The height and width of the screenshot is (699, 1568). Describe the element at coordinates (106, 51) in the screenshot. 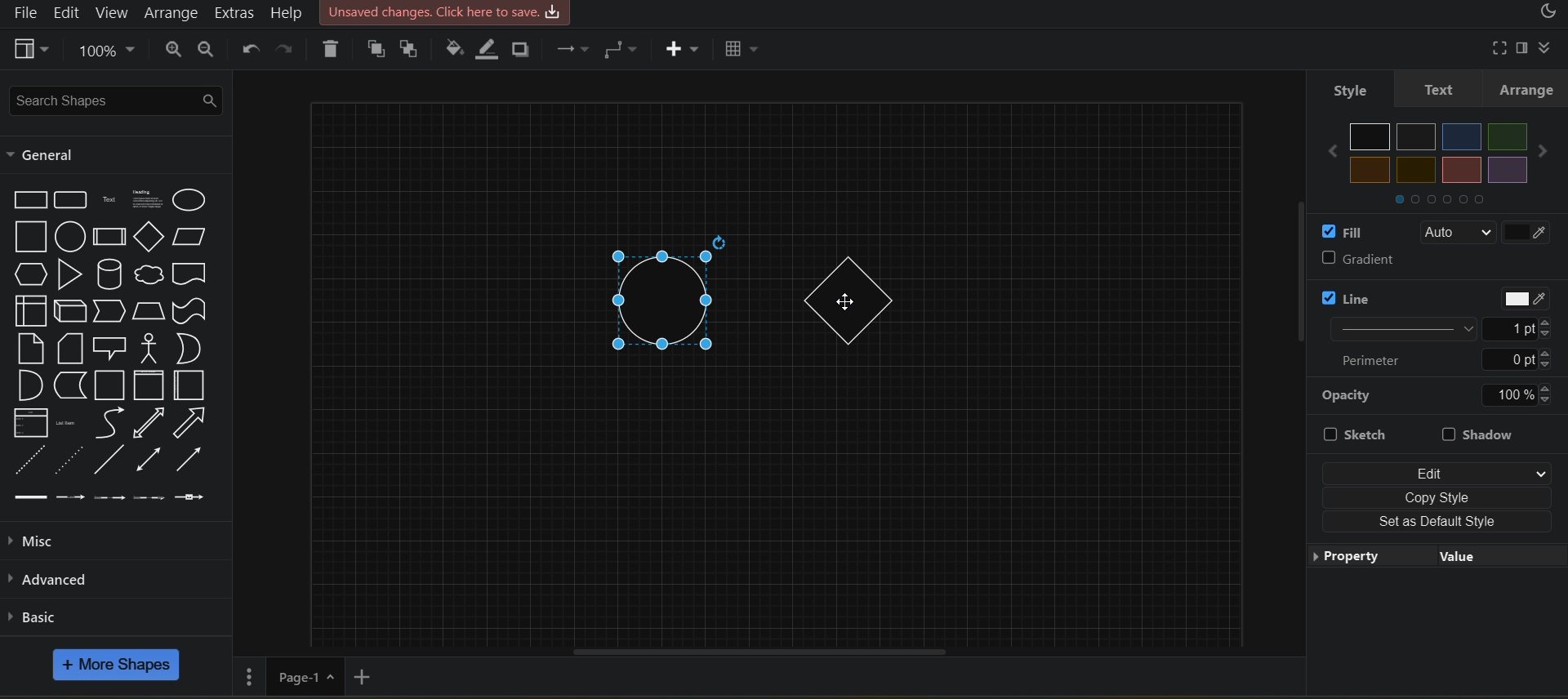

I see `zoom` at that location.